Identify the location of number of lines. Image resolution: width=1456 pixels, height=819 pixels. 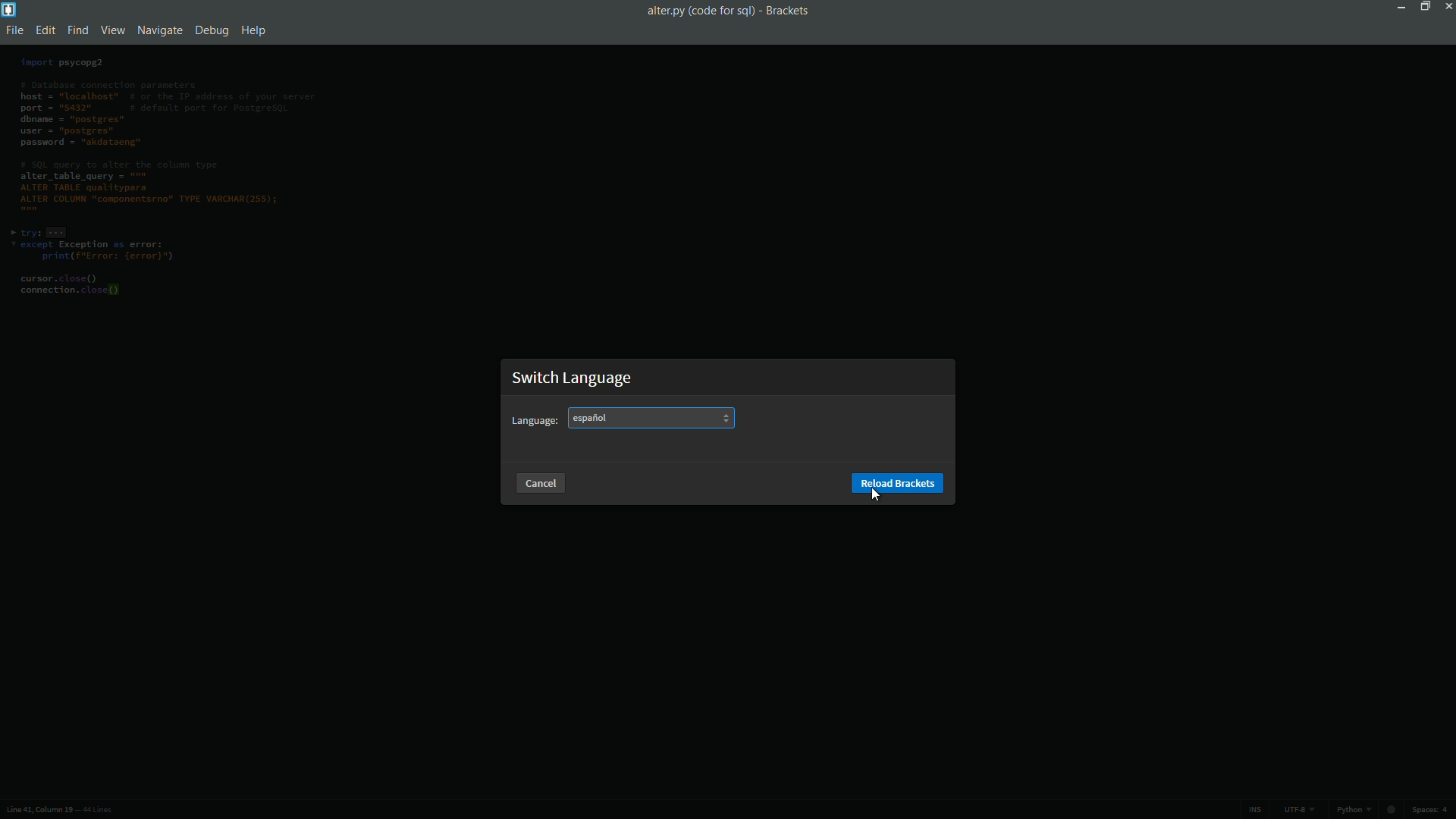
(97, 809).